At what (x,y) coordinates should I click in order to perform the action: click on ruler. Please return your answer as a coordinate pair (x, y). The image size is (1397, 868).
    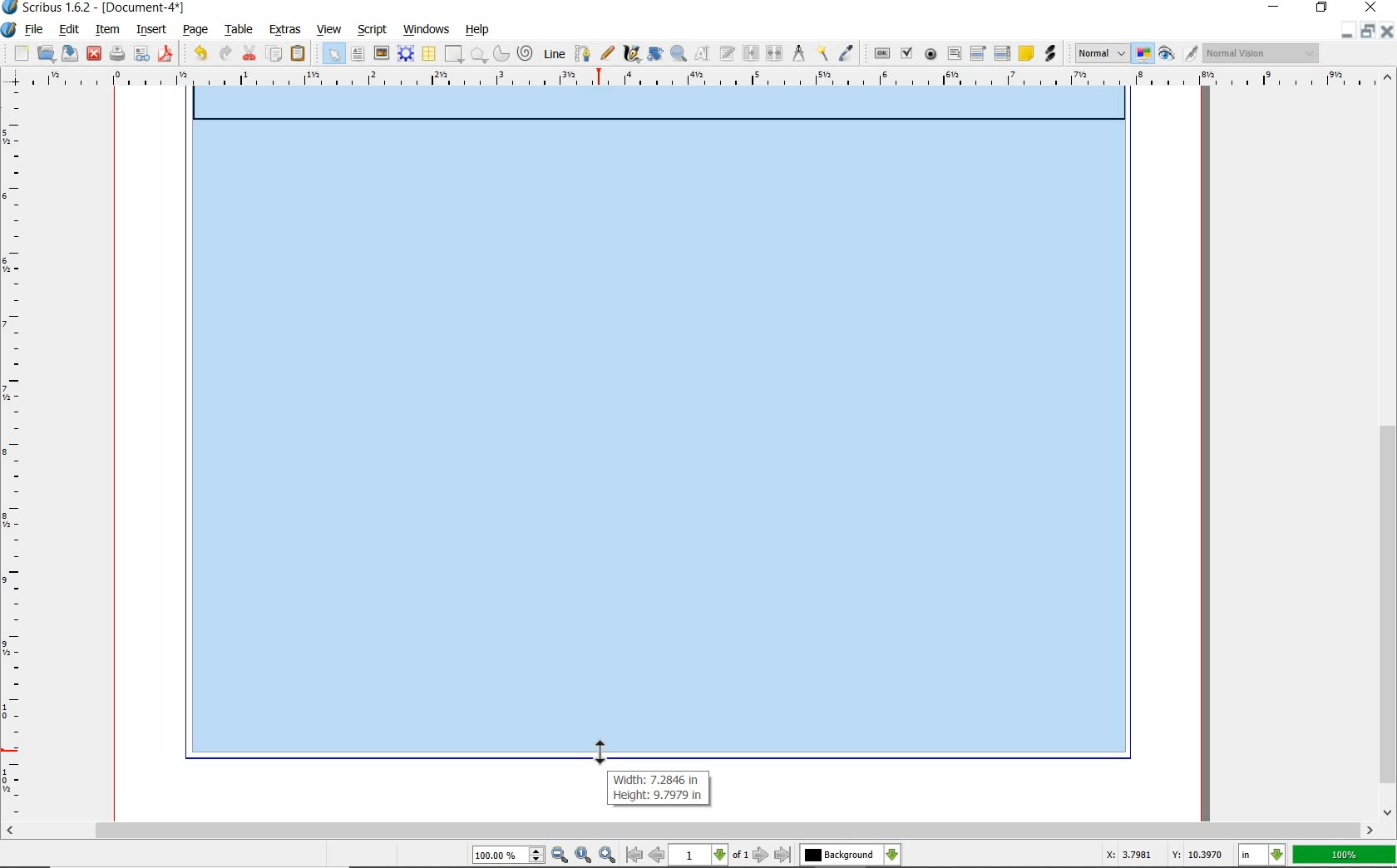
    Looking at the image, I should click on (701, 79).